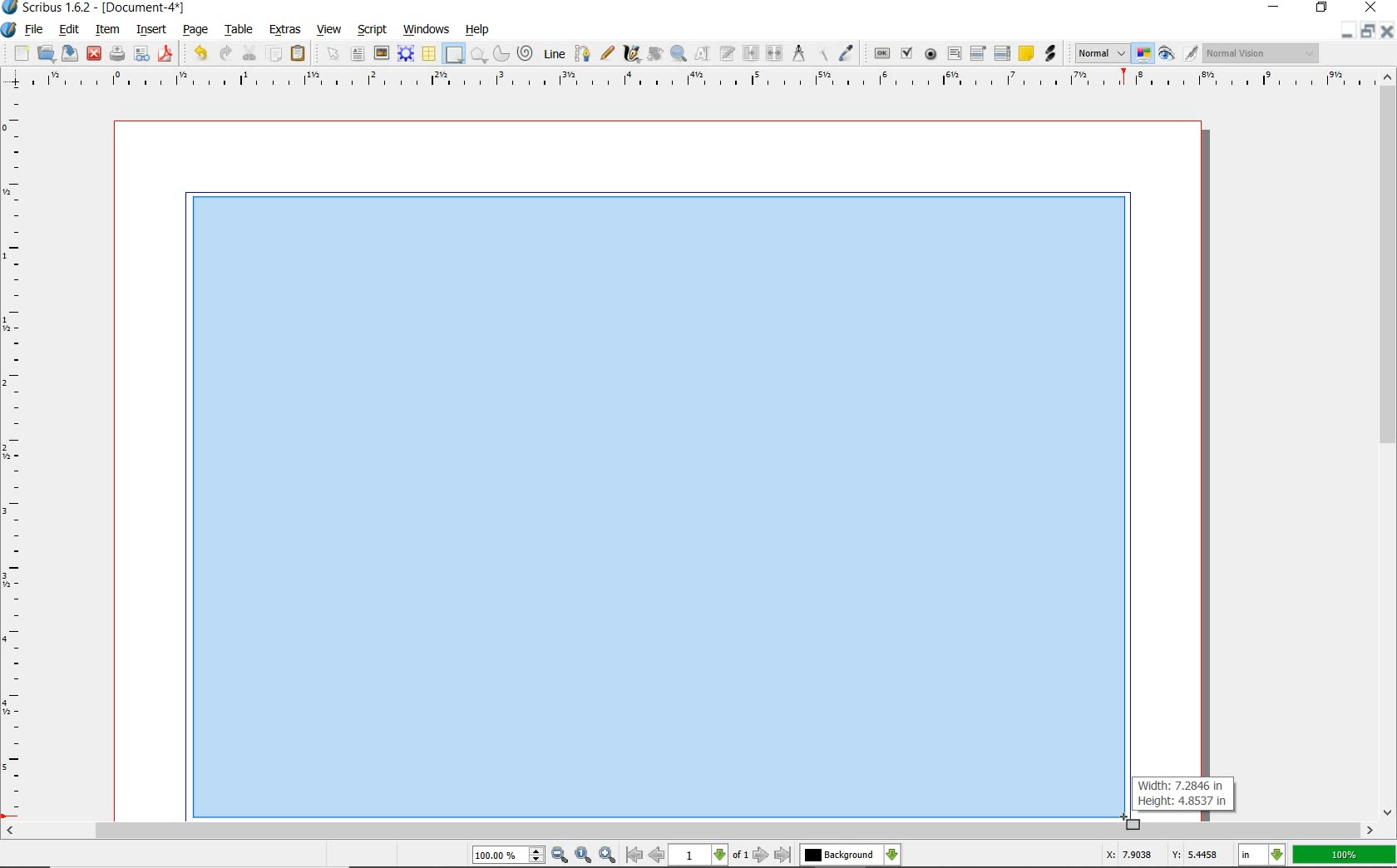  What do you see at coordinates (1262, 855) in the screenshot?
I see `in` at bounding box center [1262, 855].